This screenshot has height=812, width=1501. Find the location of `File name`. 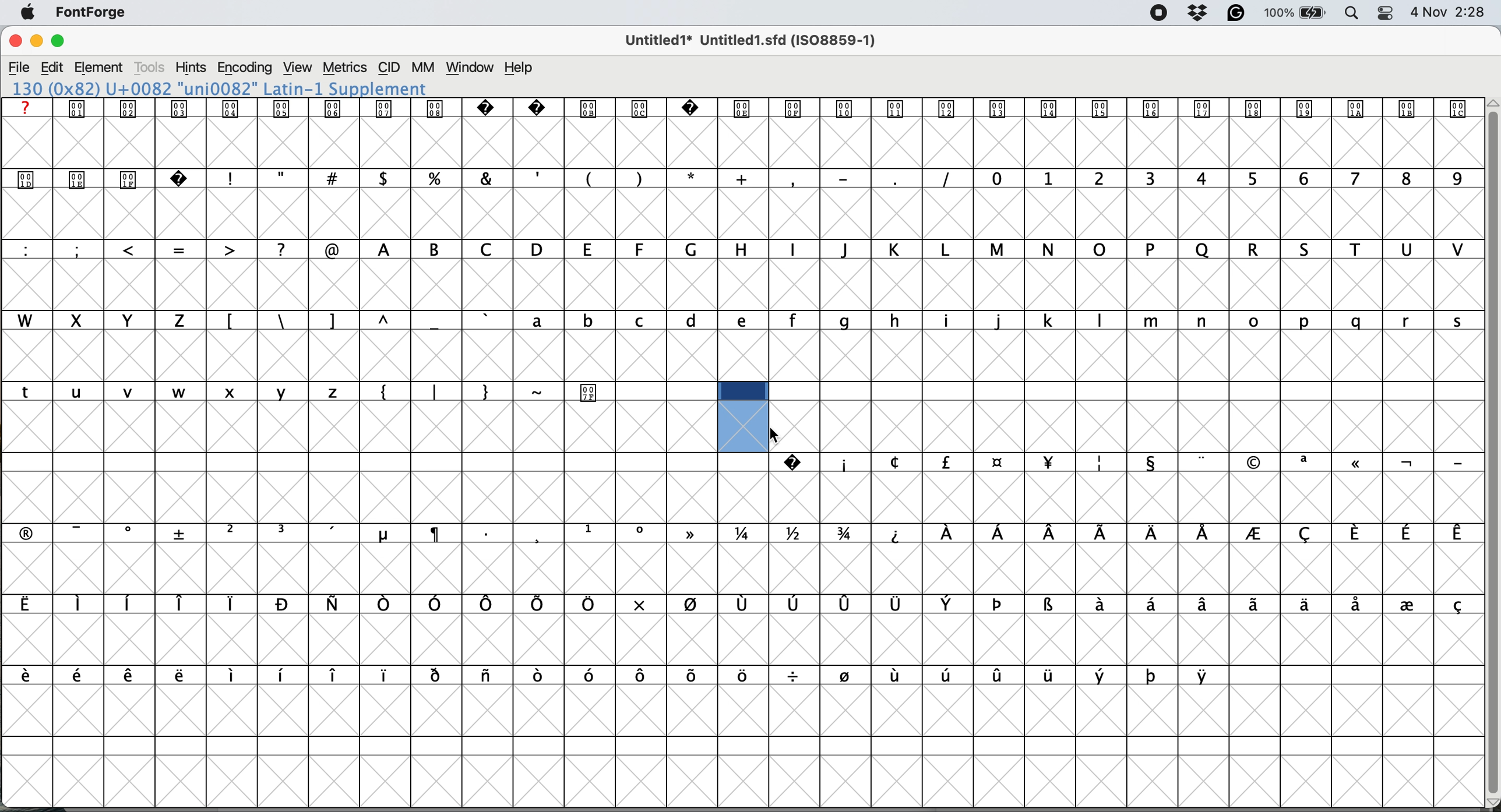

File name is located at coordinates (747, 40).